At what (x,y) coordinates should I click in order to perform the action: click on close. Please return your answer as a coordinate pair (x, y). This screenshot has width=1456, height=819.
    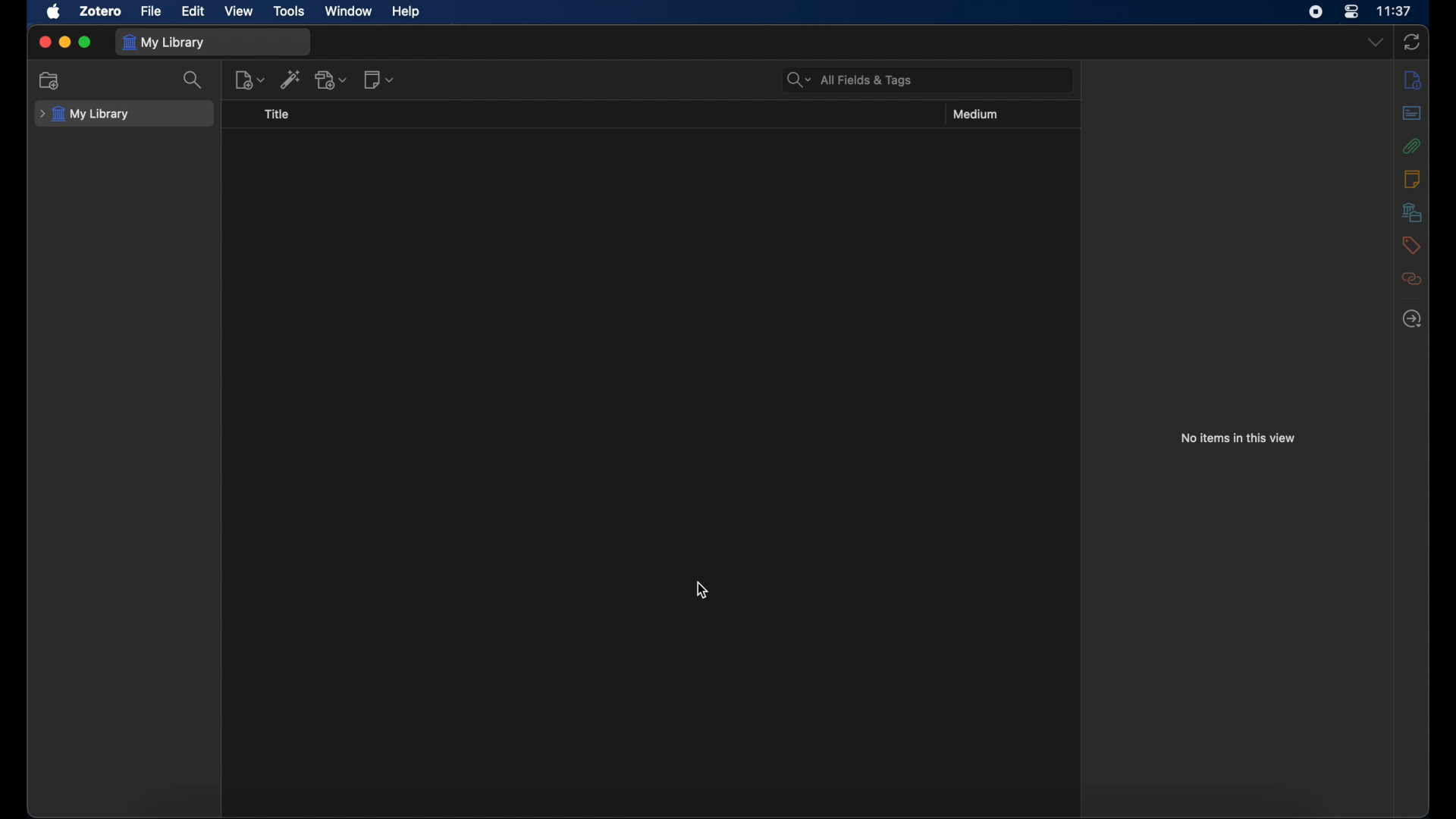
    Looking at the image, I should click on (44, 42).